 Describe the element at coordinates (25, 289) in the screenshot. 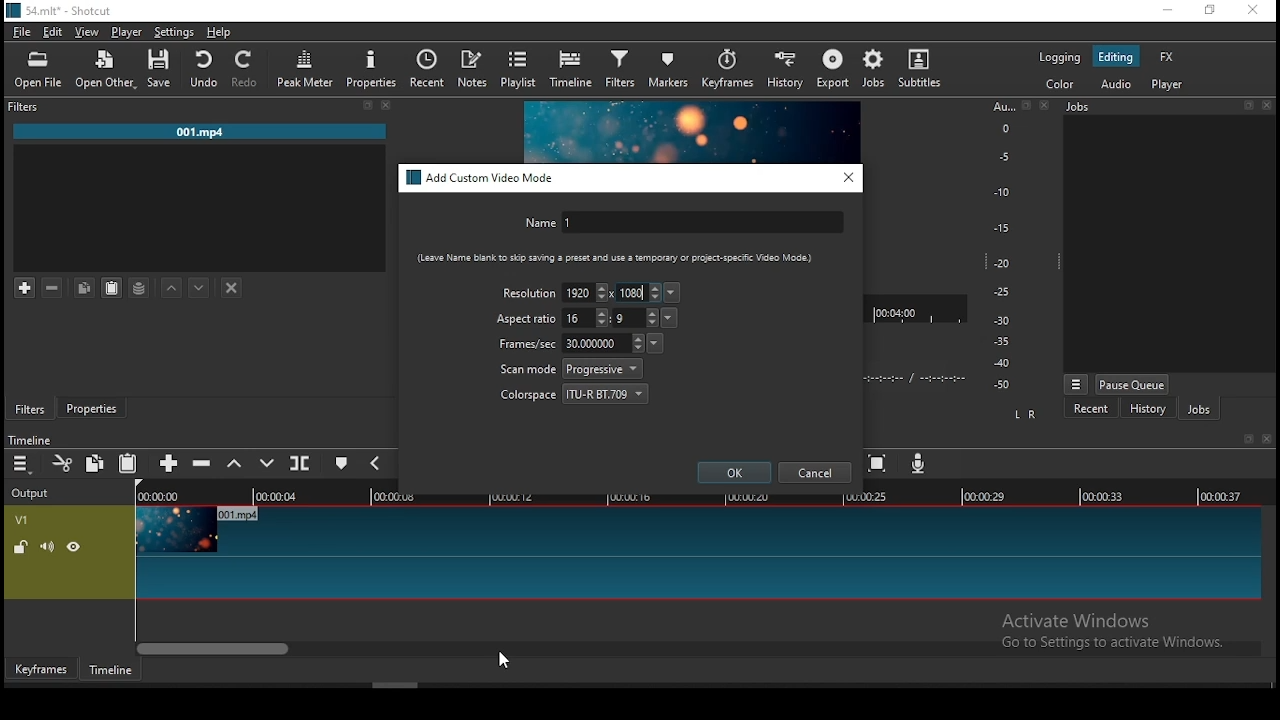

I see `add filter` at that location.